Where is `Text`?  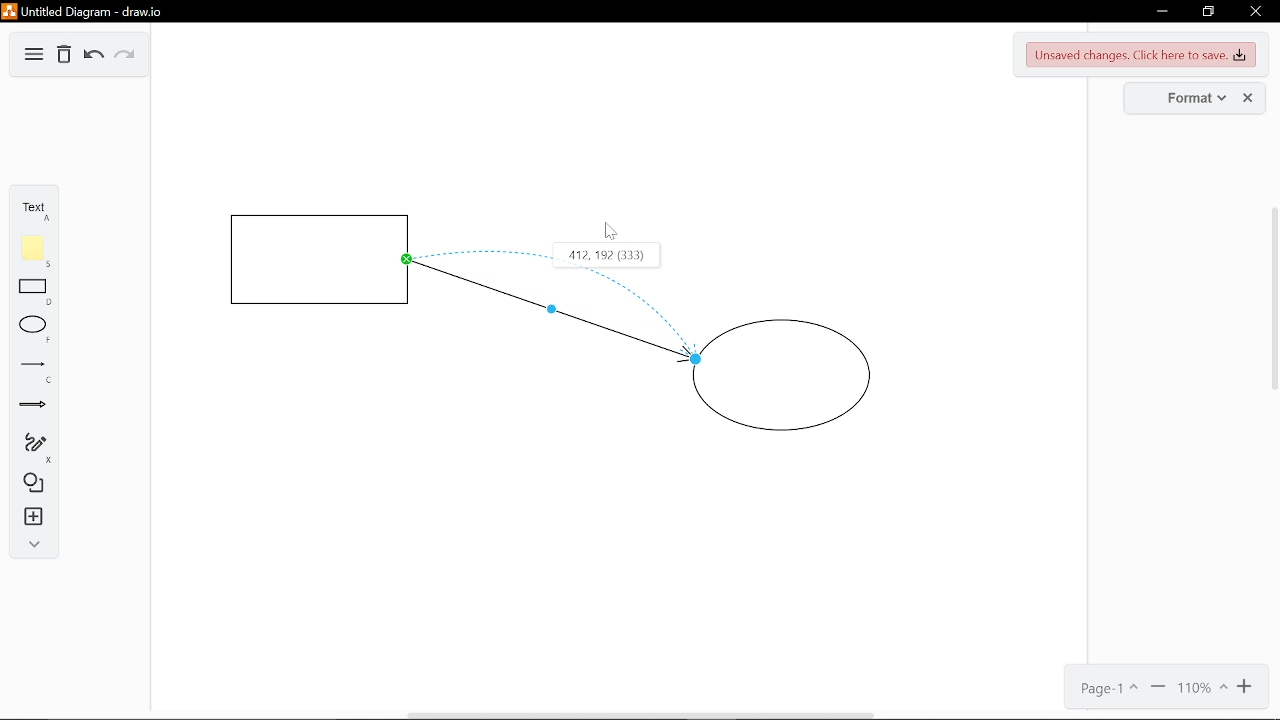
Text is located at coordinates (32, 208).